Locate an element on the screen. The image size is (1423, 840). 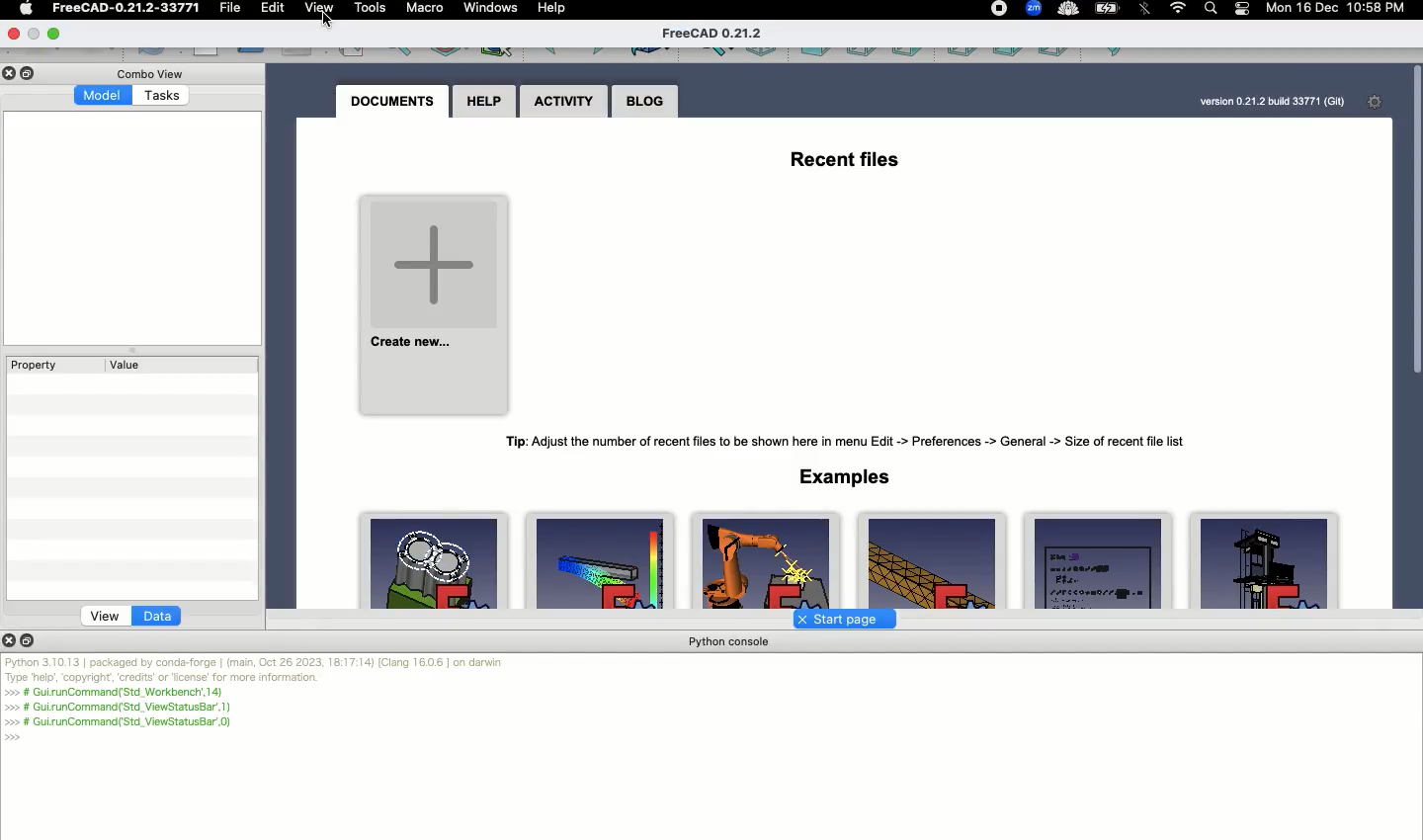
Macro is located at coordinates (426, 9).